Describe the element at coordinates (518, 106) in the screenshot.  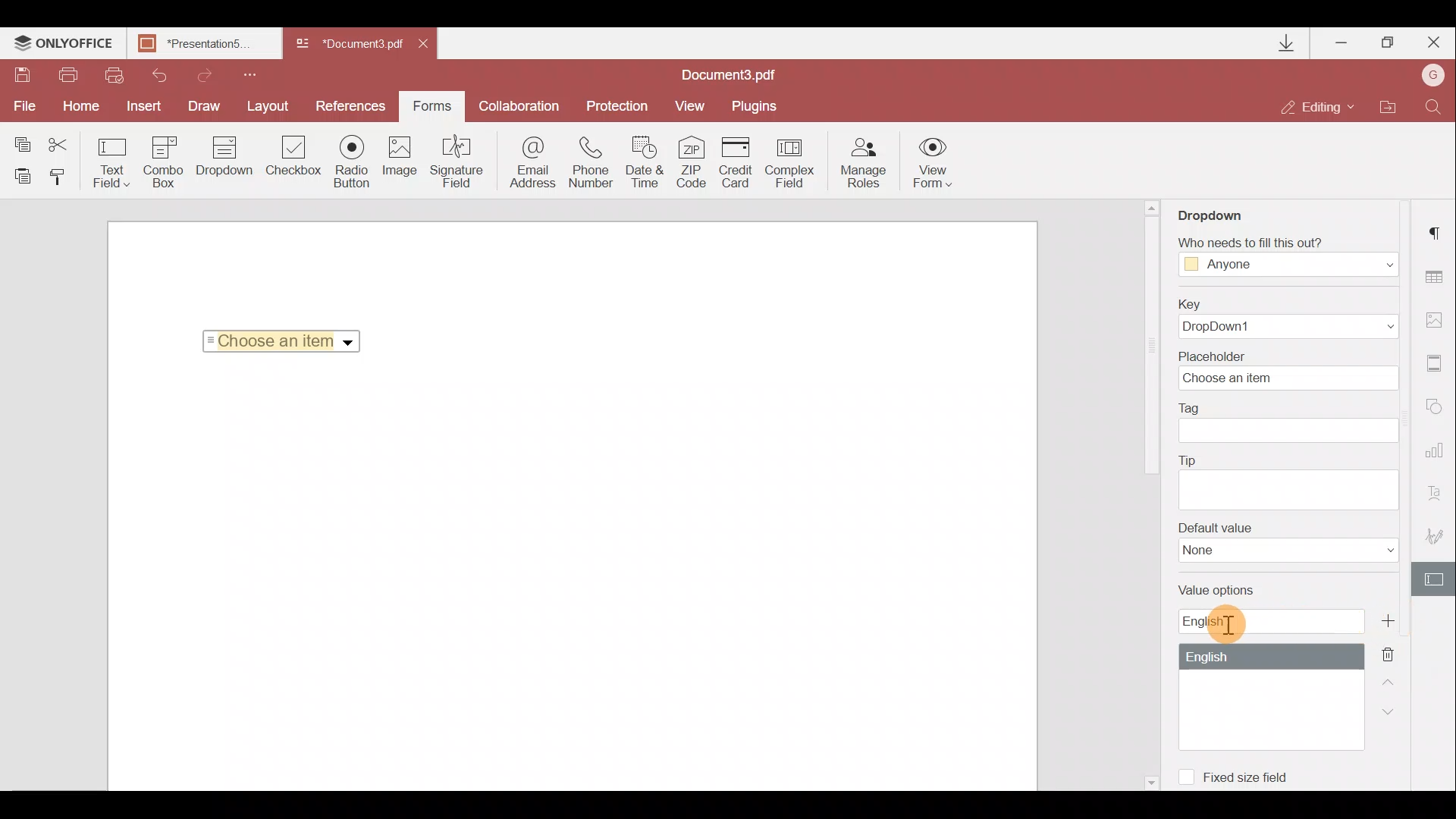
I see `Collaboration` at that location.